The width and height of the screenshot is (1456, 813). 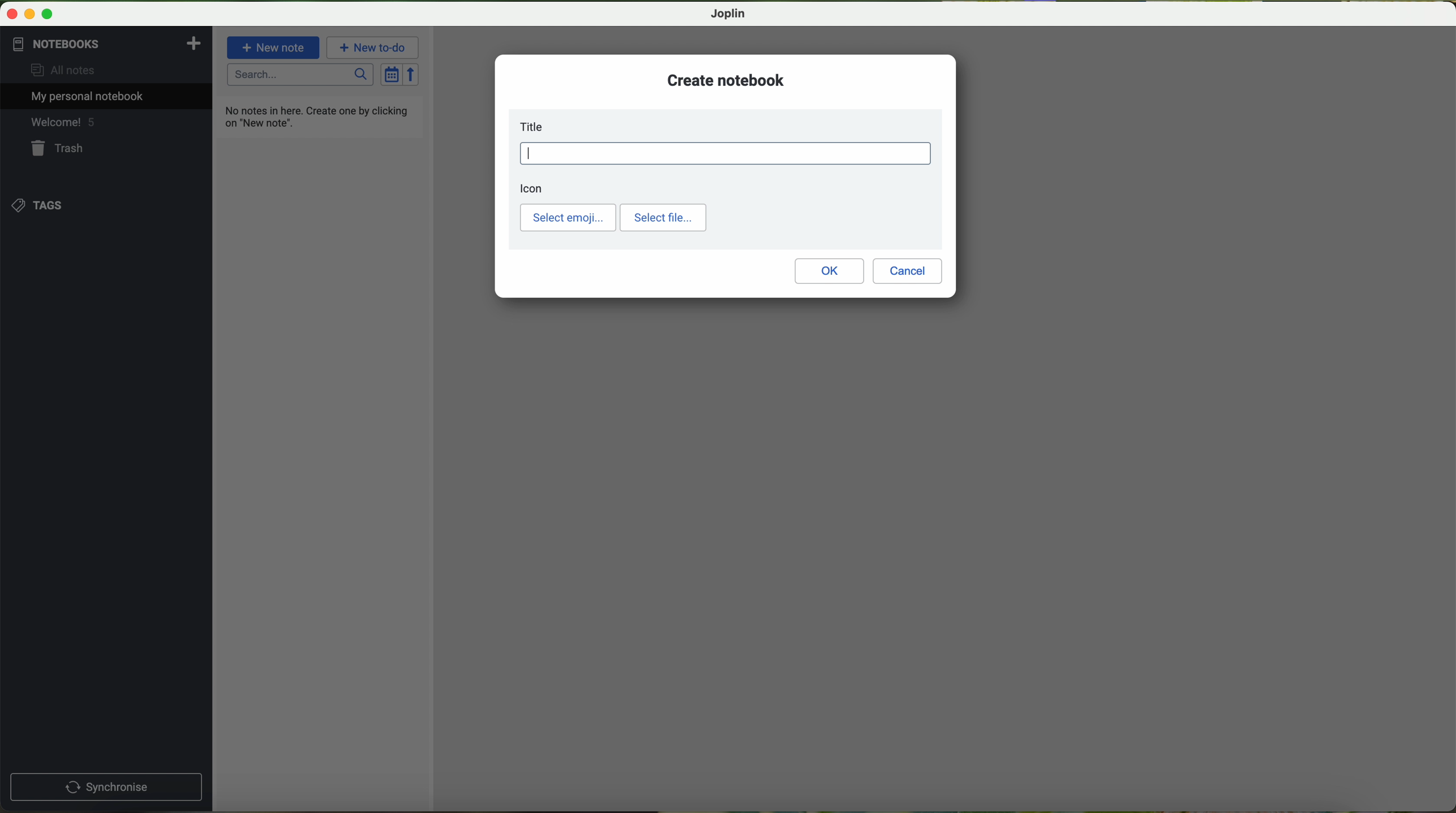 What do you see at coordinates (663, 218) in the screenshot?
I see `select file` at bounding box center [663, 218].